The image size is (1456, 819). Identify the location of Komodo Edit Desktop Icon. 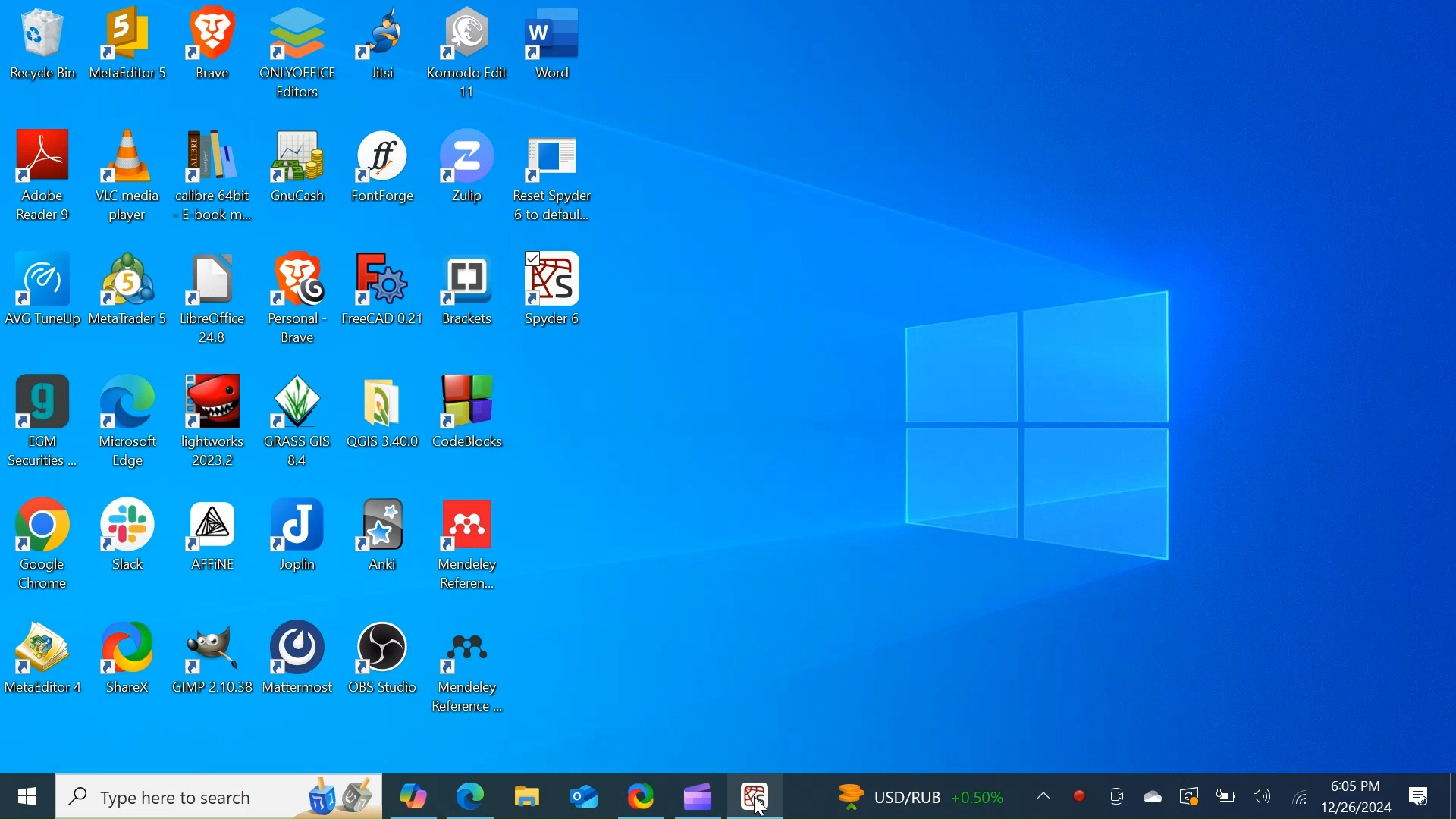
(469, 53).